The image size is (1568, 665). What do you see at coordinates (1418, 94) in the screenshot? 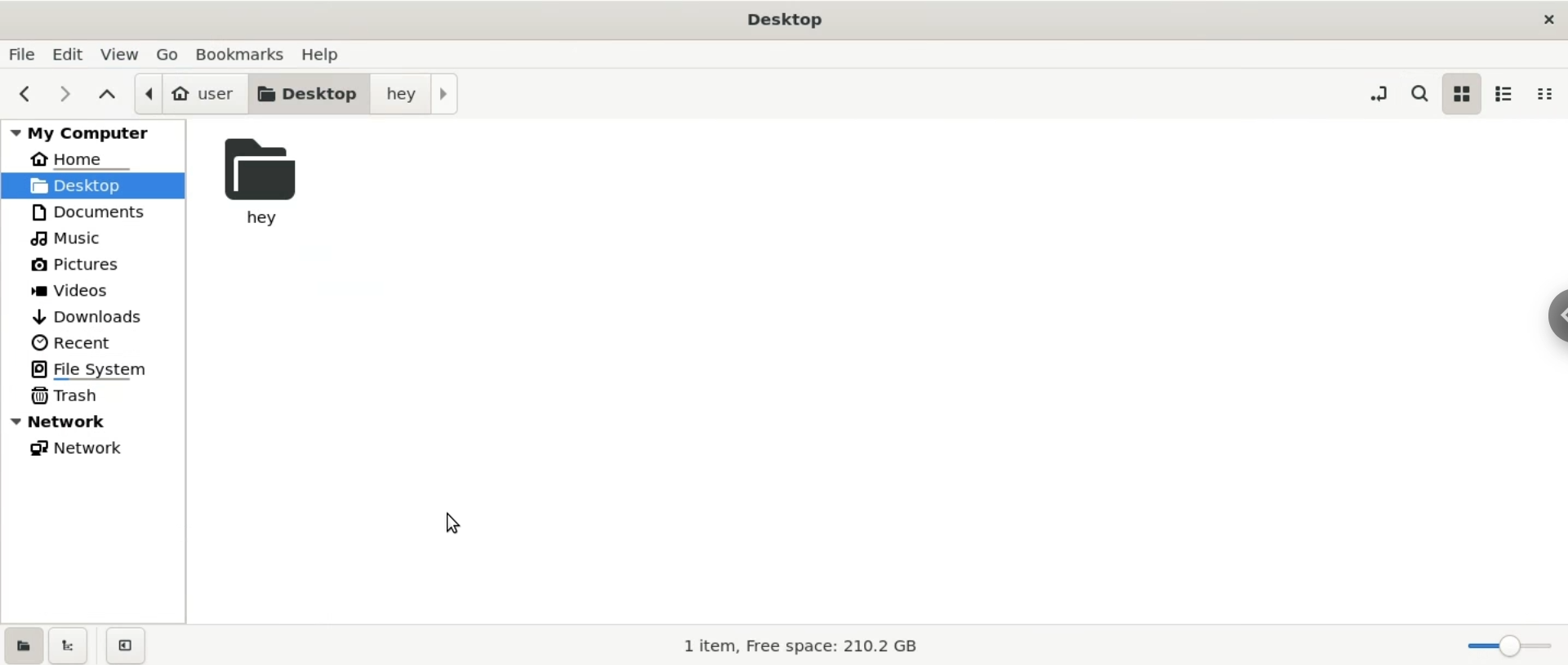
I see `search ` at bounding box center [1418, 94].